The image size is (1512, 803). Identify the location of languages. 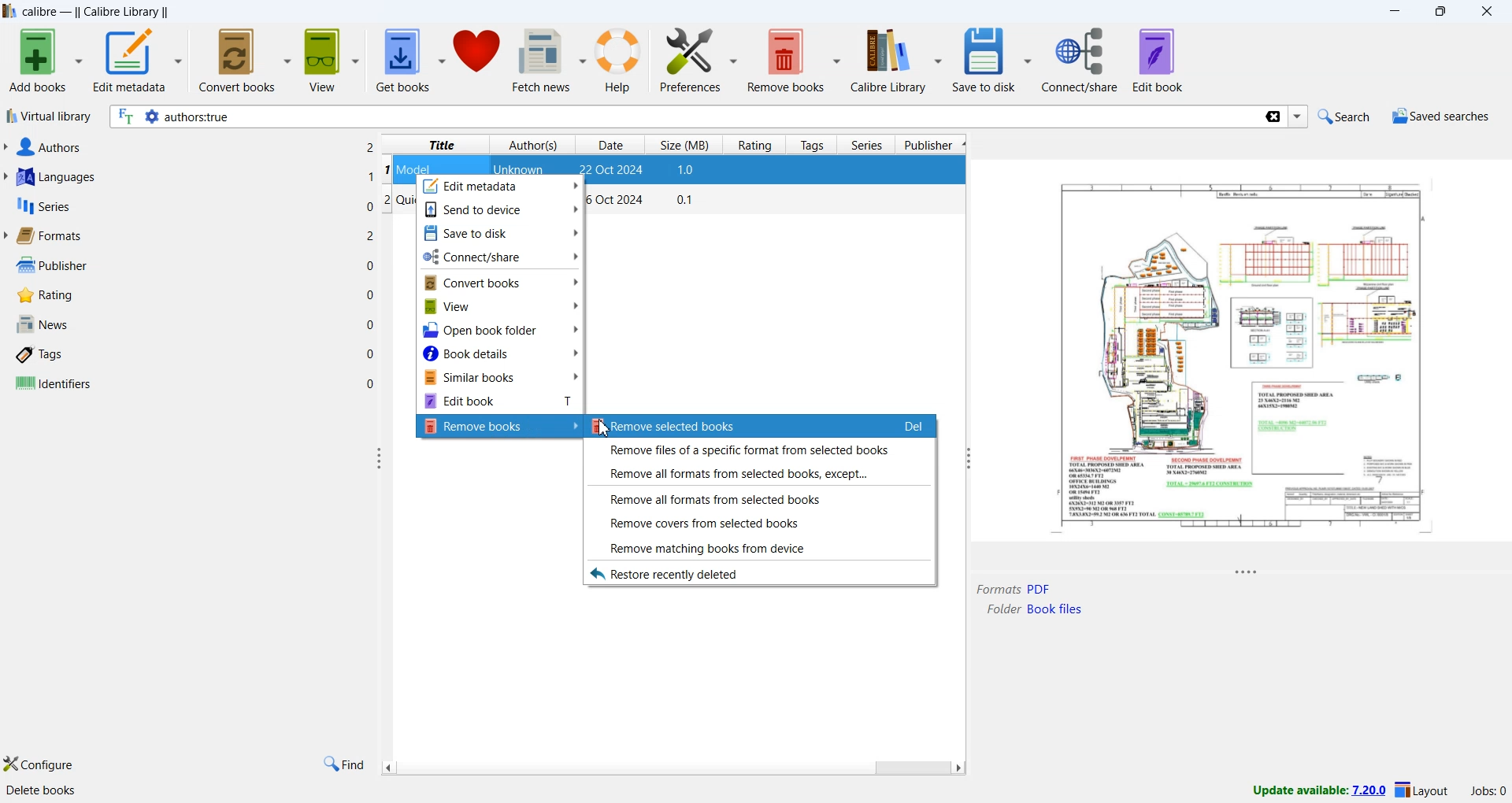
(54, 179).